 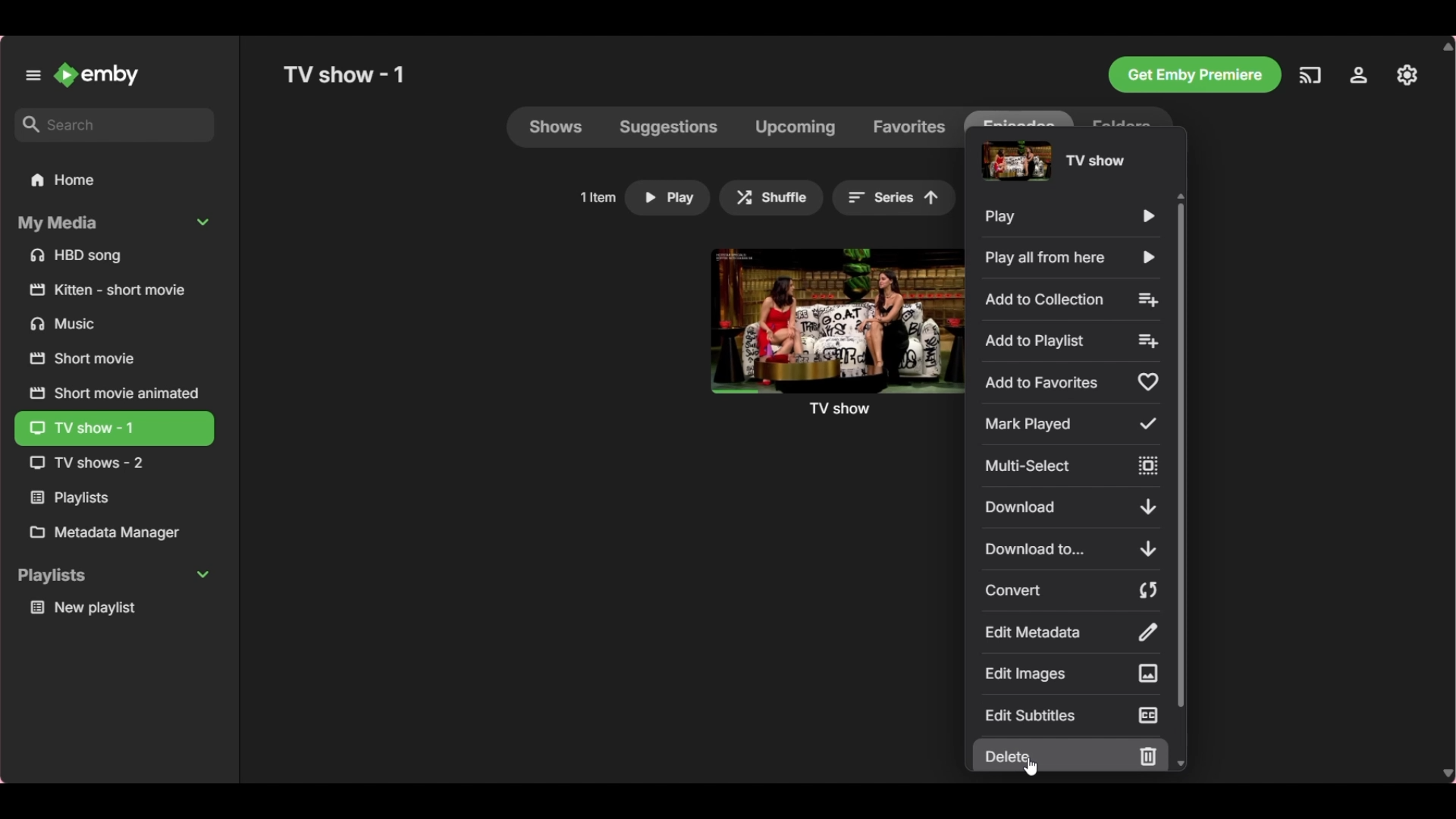 I want to click on Short film, so click(x=113, y=392).